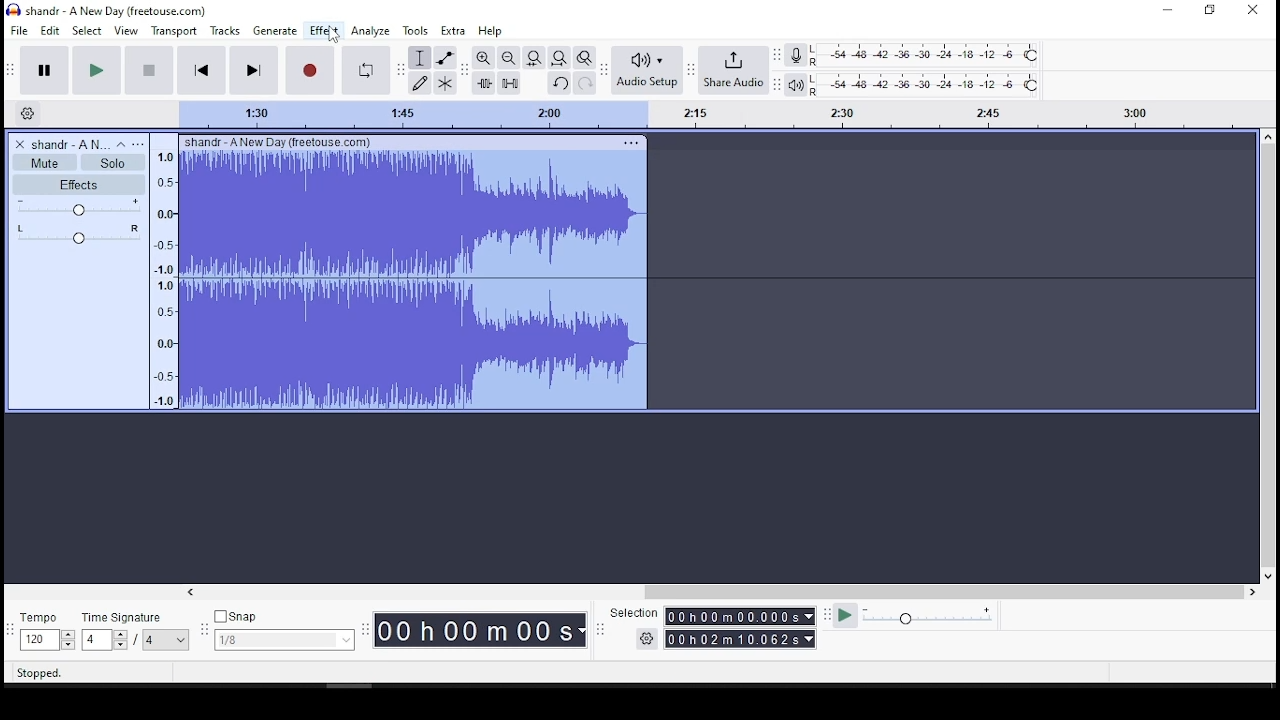  Describe the element at coordinates (201, 70) in the screenshot. I see `skip to start` at that location.